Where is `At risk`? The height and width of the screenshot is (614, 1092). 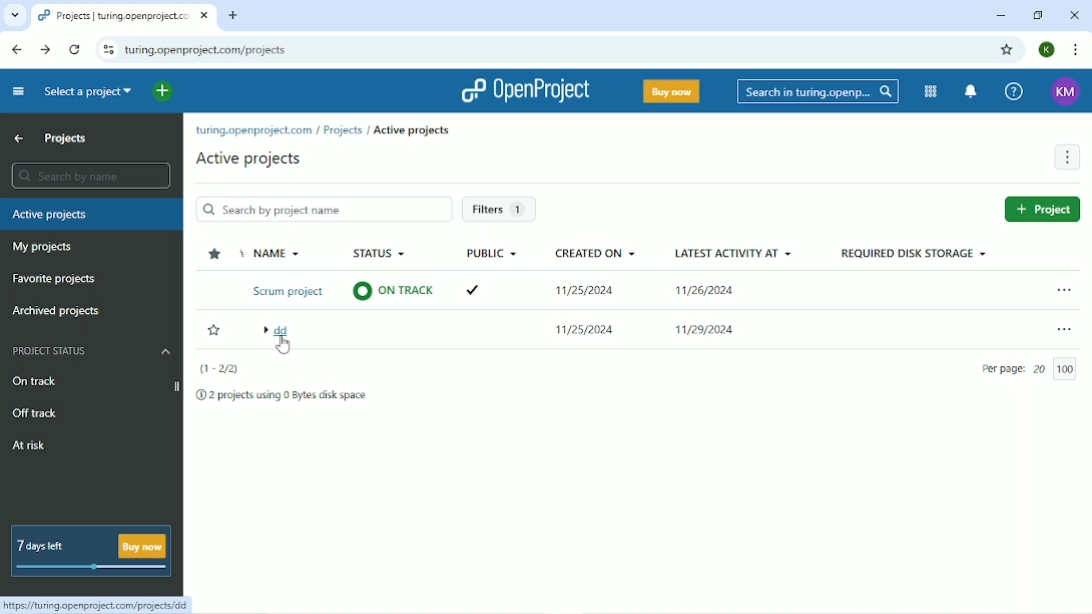 At risk is located at coordinates (33, 446).